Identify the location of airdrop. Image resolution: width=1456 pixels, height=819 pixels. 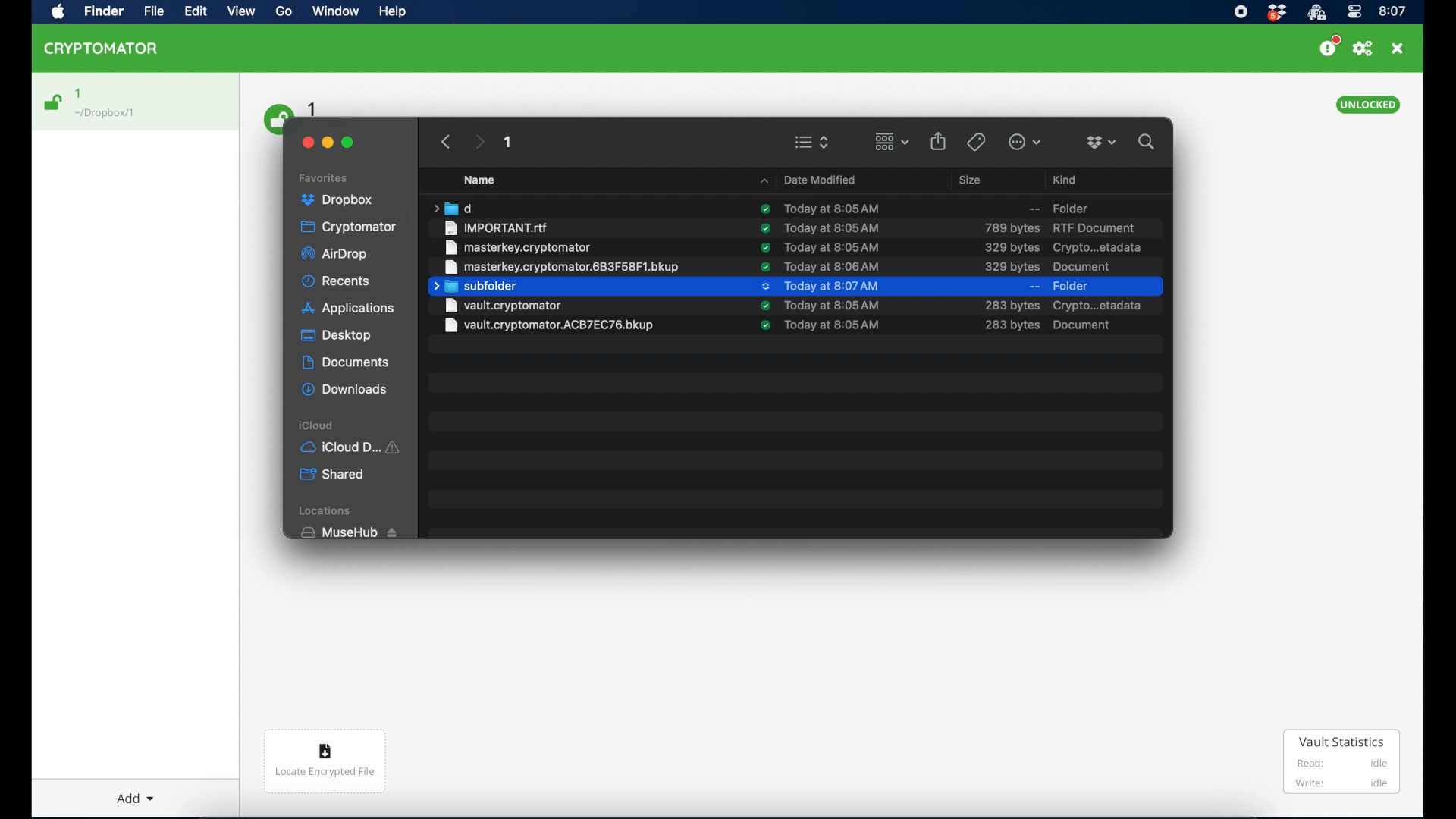
(336, 256).